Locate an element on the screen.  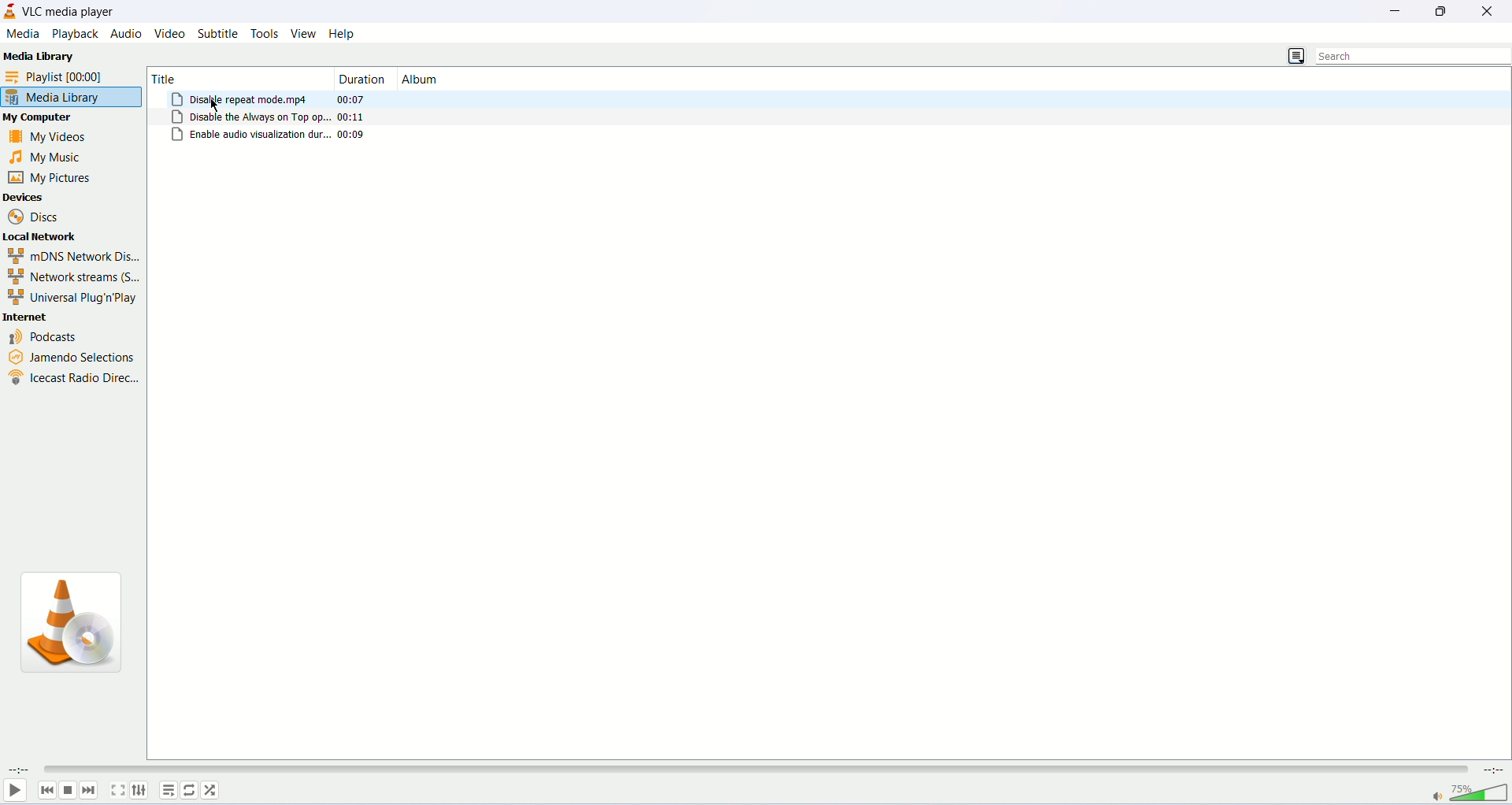
Universal Plug n Play is located at coordinates (69, 298).